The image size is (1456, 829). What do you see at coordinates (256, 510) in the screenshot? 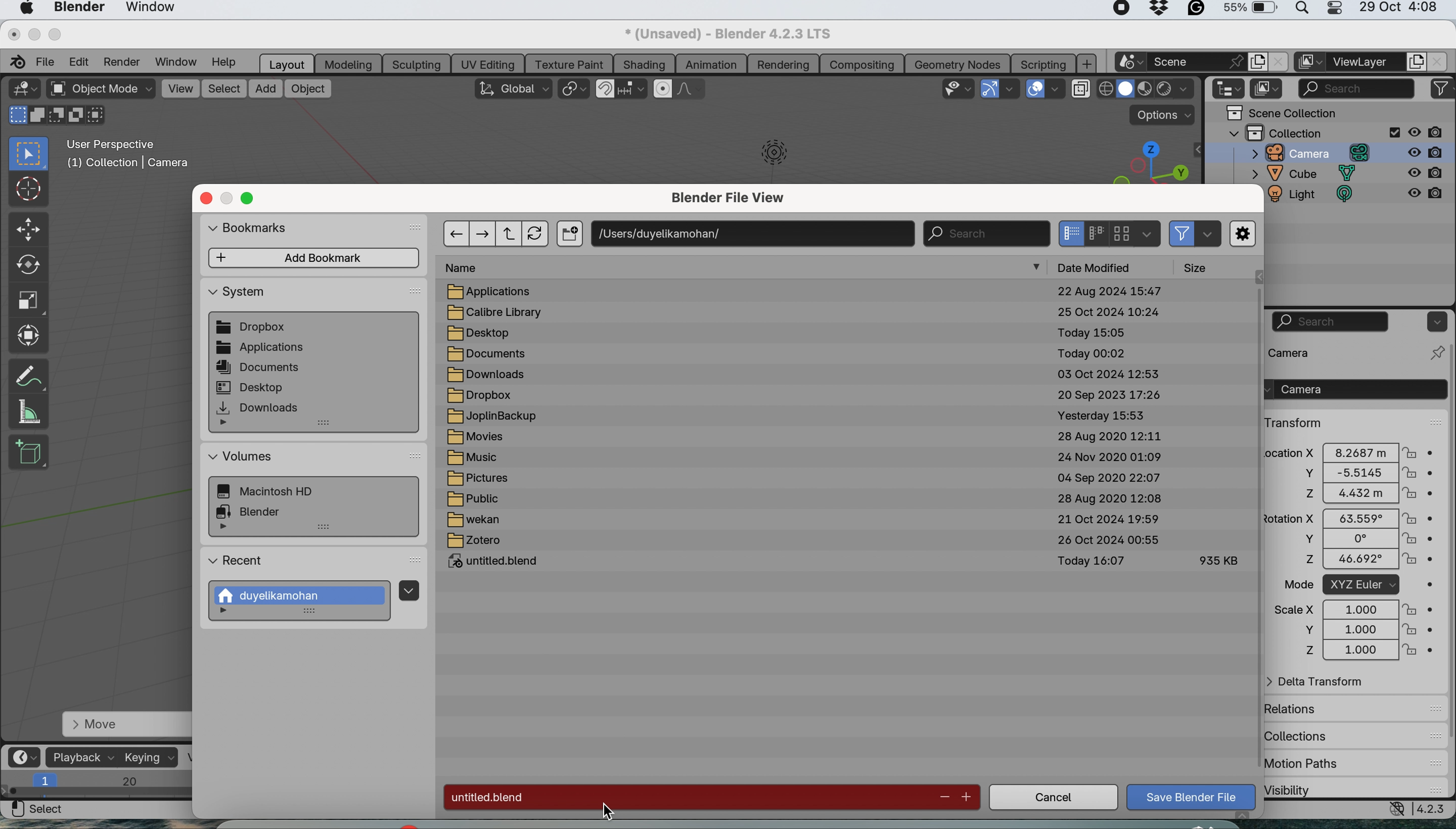
I see `blender` at bounding box center [256, 510].